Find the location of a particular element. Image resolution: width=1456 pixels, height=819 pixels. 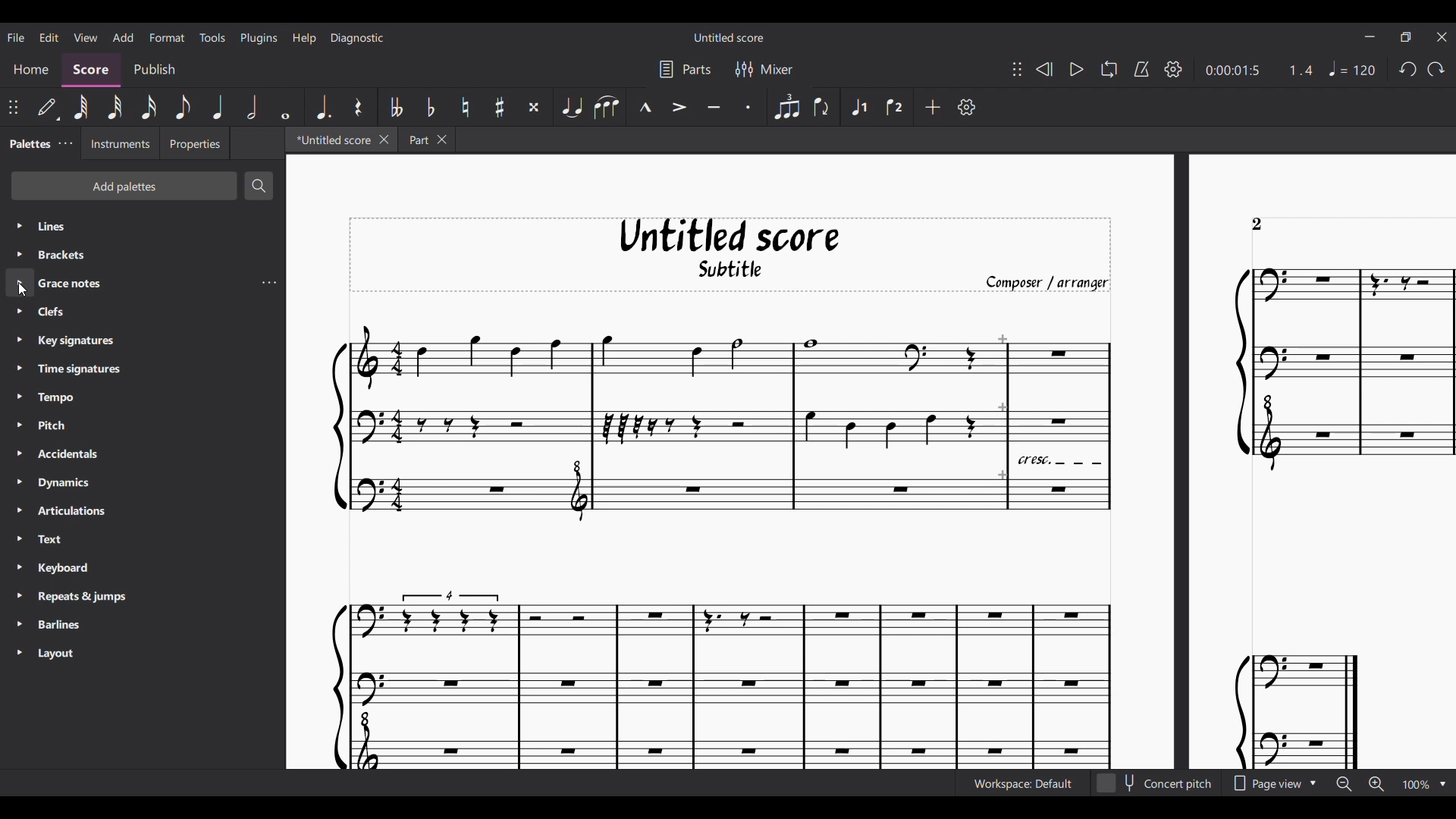

Augmentation dot is located at coordinates (322, 108).